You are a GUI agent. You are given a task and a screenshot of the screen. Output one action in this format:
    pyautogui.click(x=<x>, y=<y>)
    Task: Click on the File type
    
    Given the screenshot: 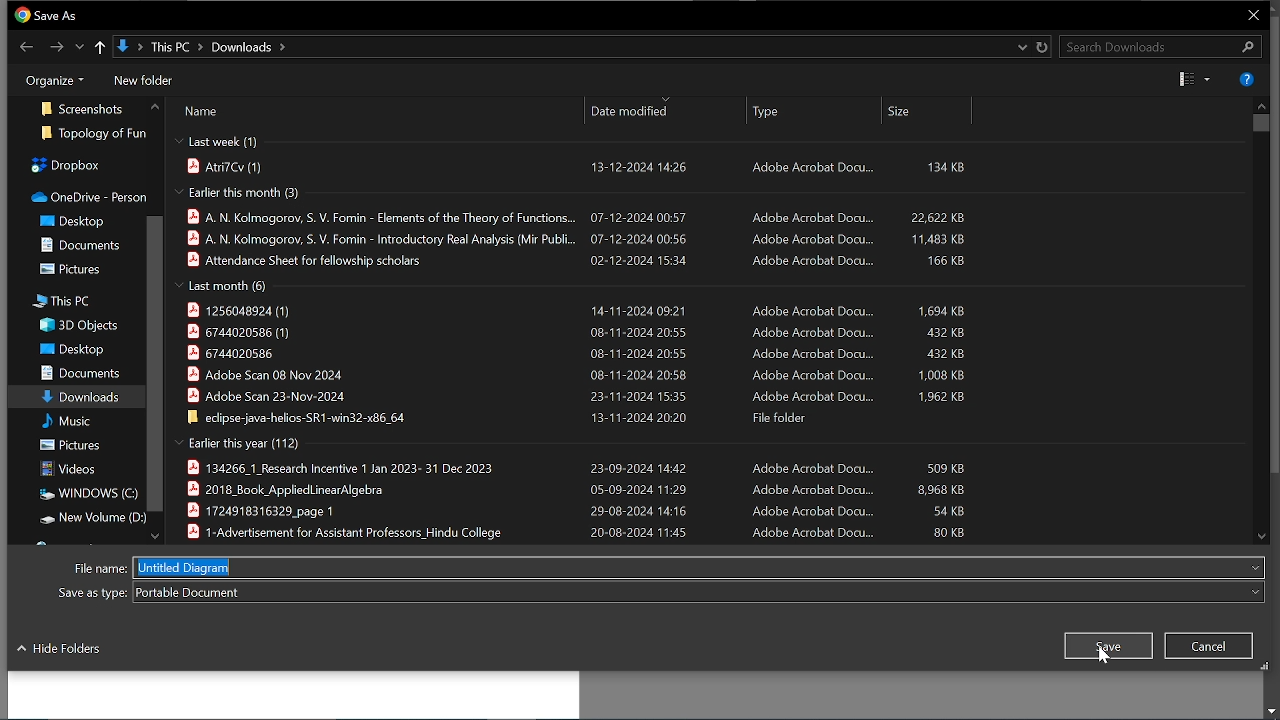 What is the action you would take?
    pyautogui.click(x=661, y=598)
    